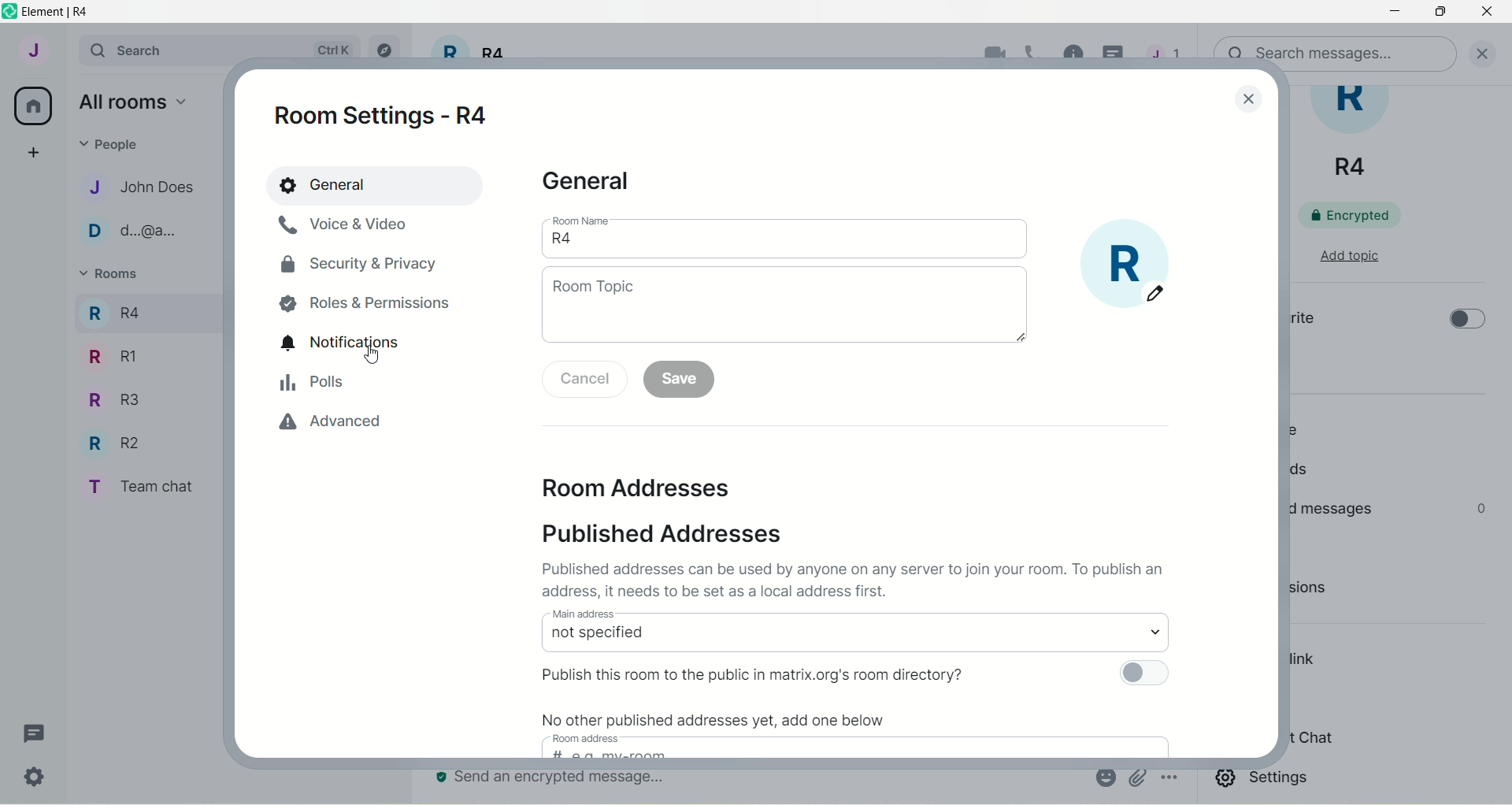  I want to click on voice call, so click(1032, 50).